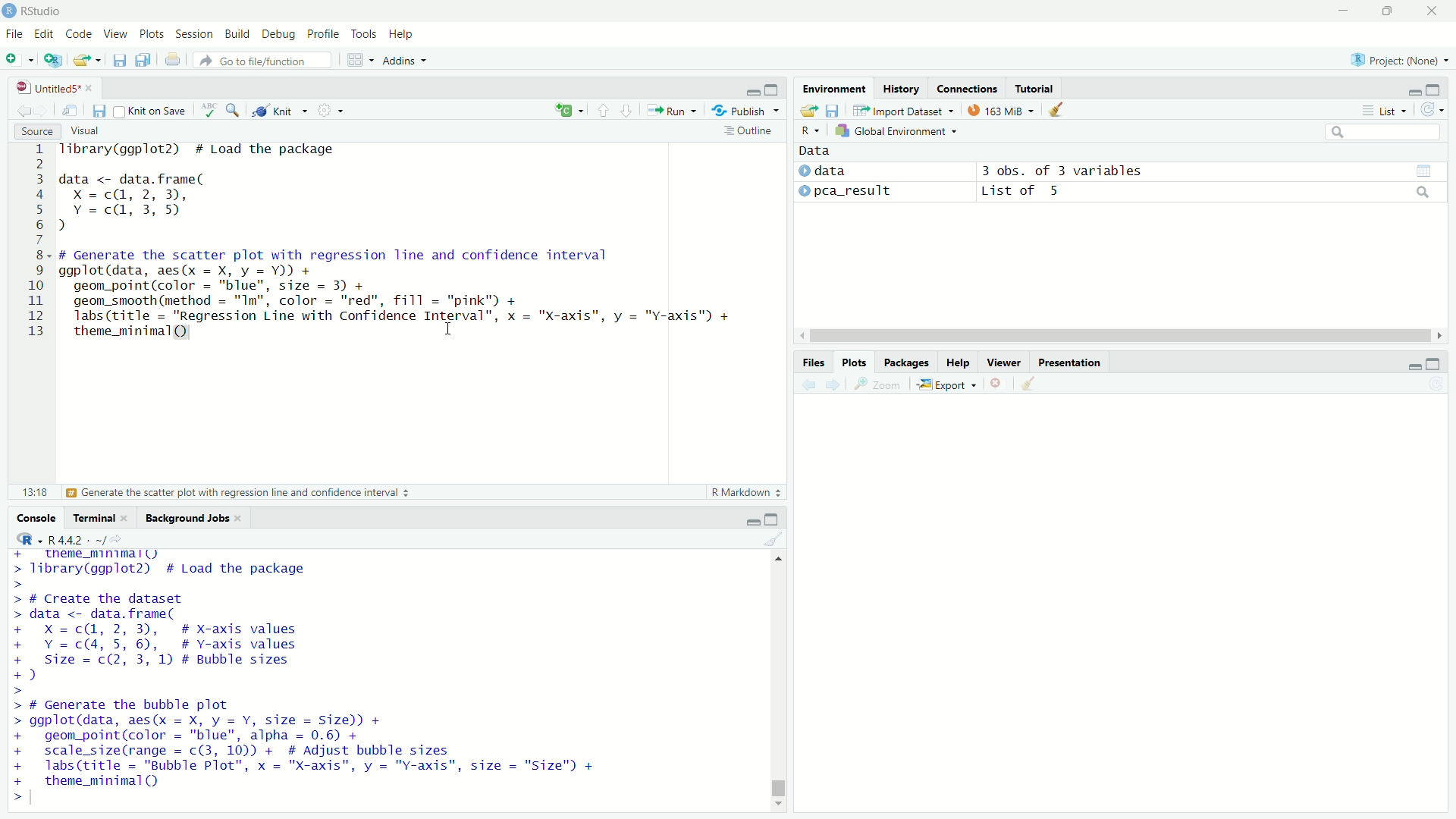  What do you see at coordinates (74, 538) in the screenshot?
I see `R4.4.2. ~` at bounding box center [74, 538].